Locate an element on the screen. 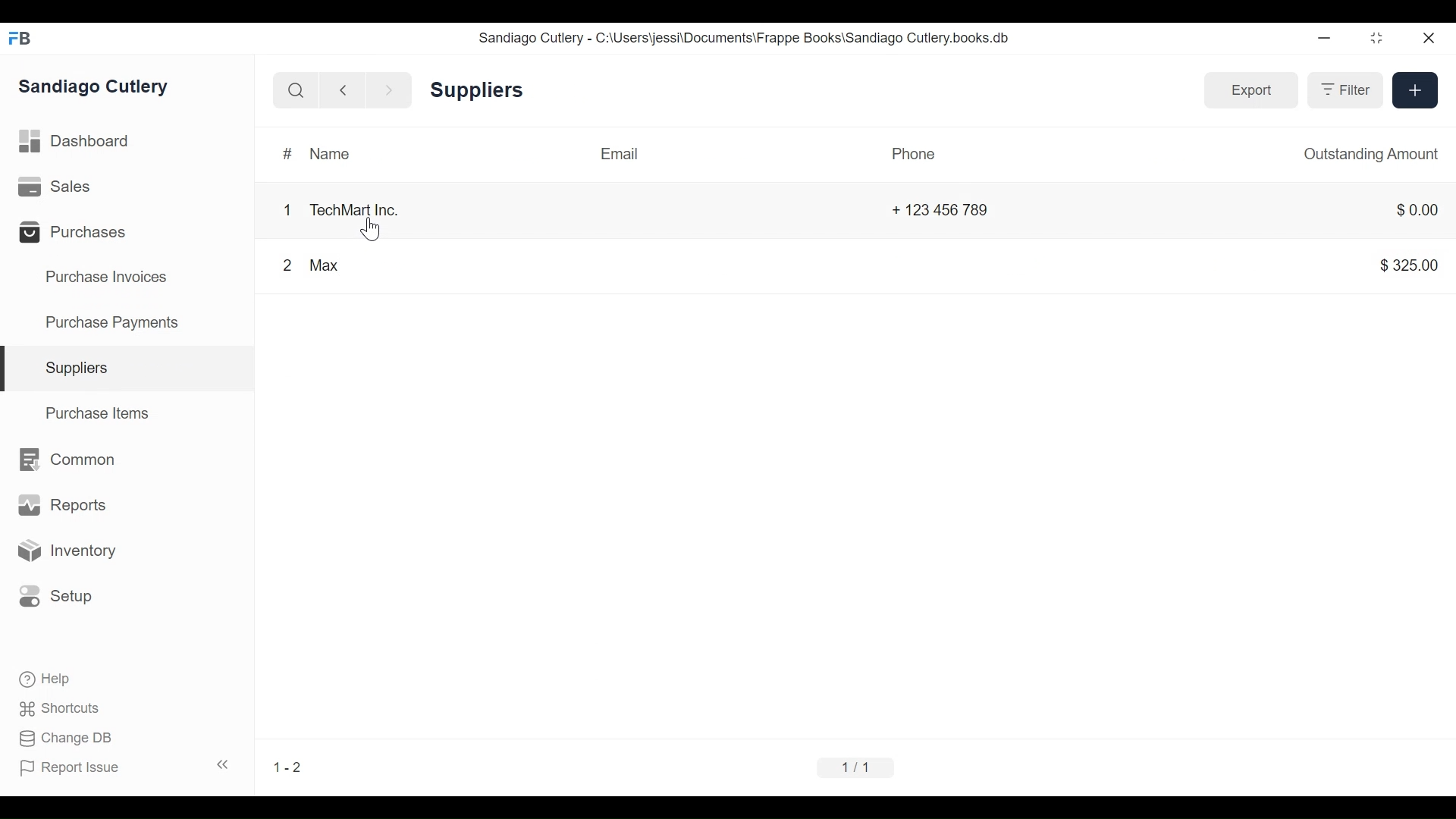 The height and width of the screenshot is (819, 1456). Common is located at coordinates (77, 462).